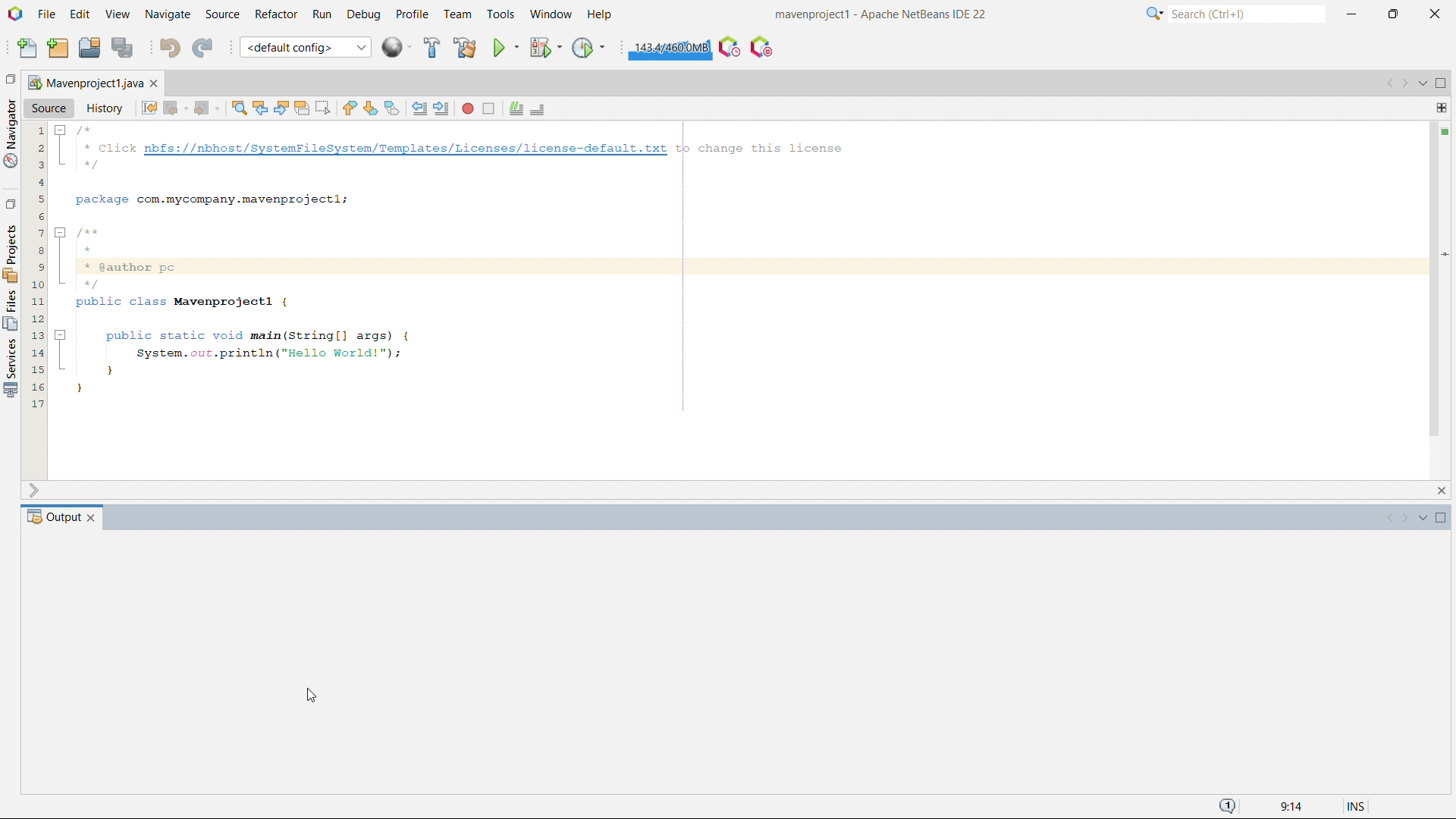 The image size is (1456, 819). I want to click on project title, so click(882, 14).